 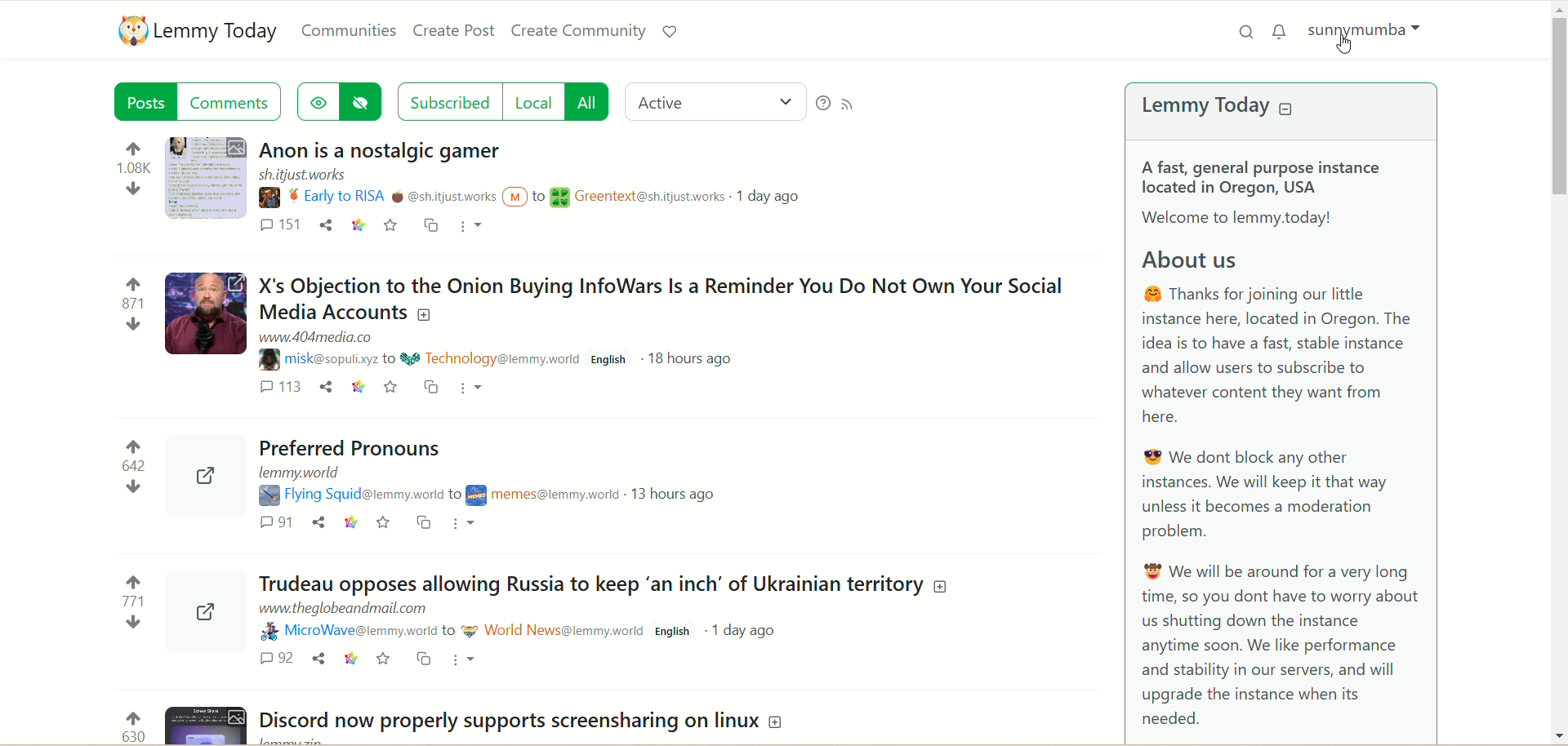 I want to click on Username, so click(x=348, y=633).